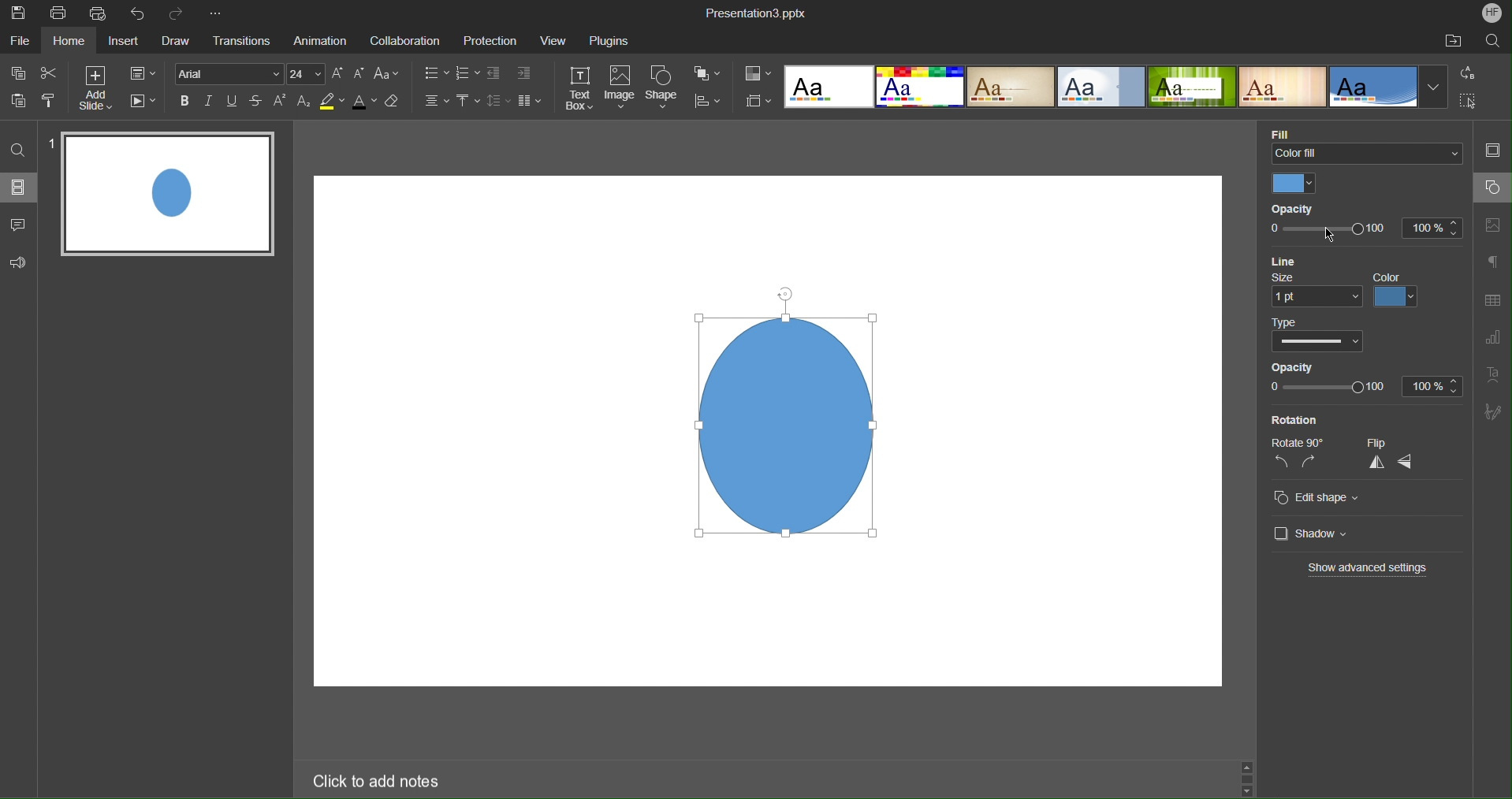 The width and height of the screenshot is (1512, 799). I want to click on Slide Settings, so click(143, 74).